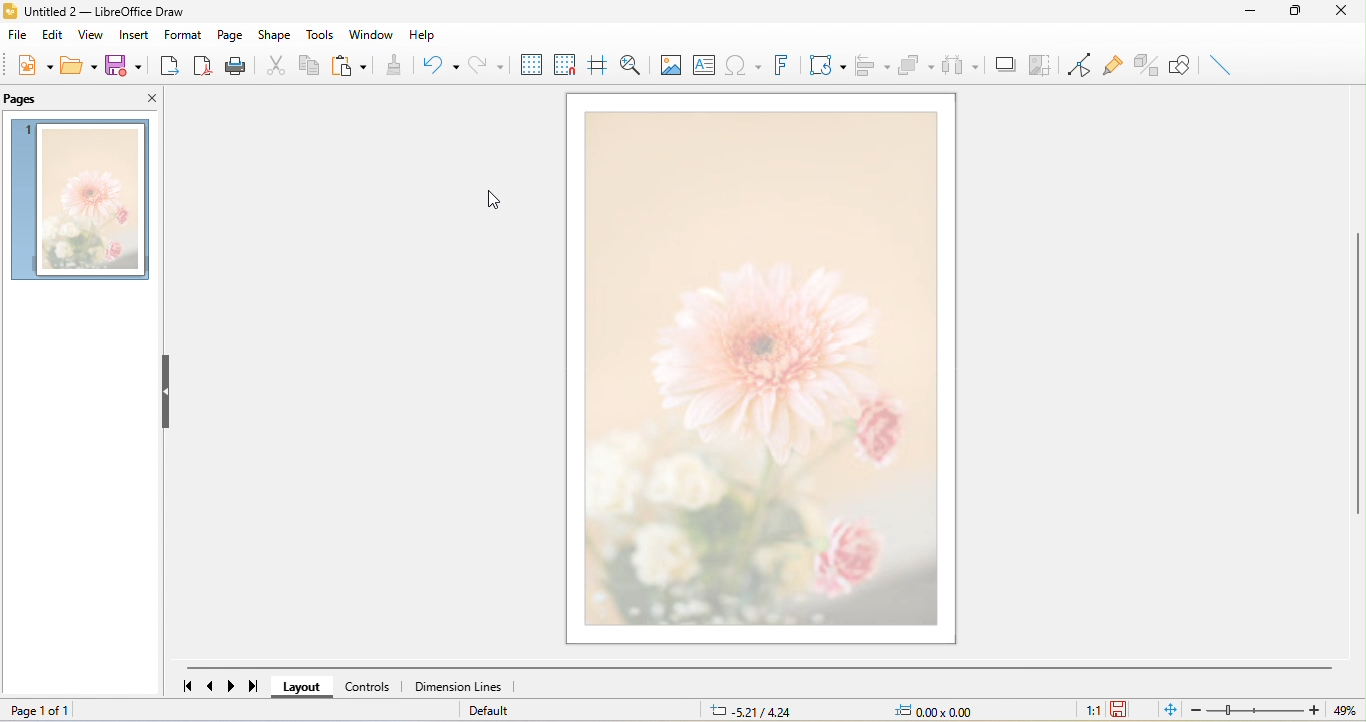 The width and height of the screenshot is (1366, 722). Describe the element at coordinates (1092, 712) in the screenshot. I see `1:1` at that location.